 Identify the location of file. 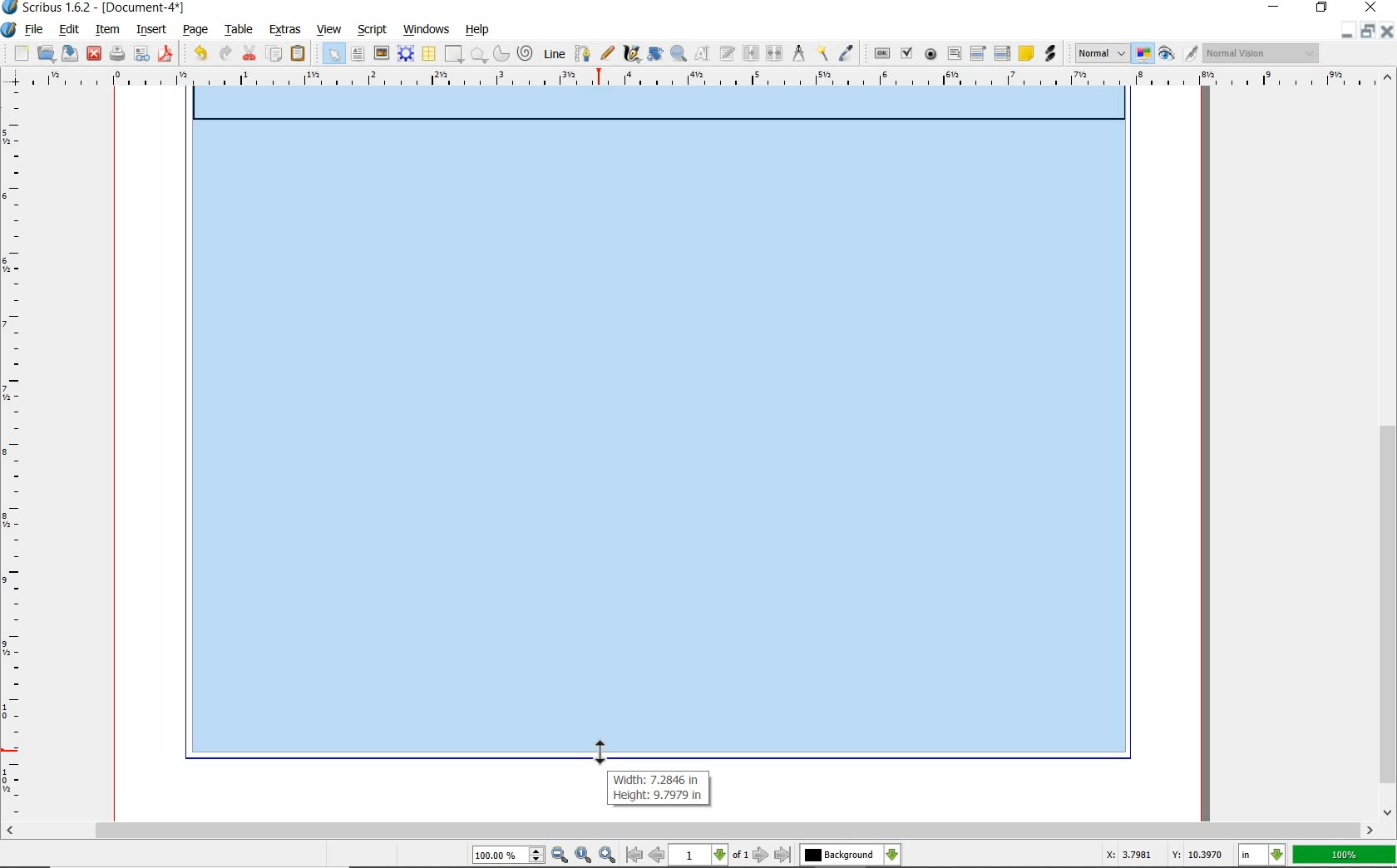
(36, 31).